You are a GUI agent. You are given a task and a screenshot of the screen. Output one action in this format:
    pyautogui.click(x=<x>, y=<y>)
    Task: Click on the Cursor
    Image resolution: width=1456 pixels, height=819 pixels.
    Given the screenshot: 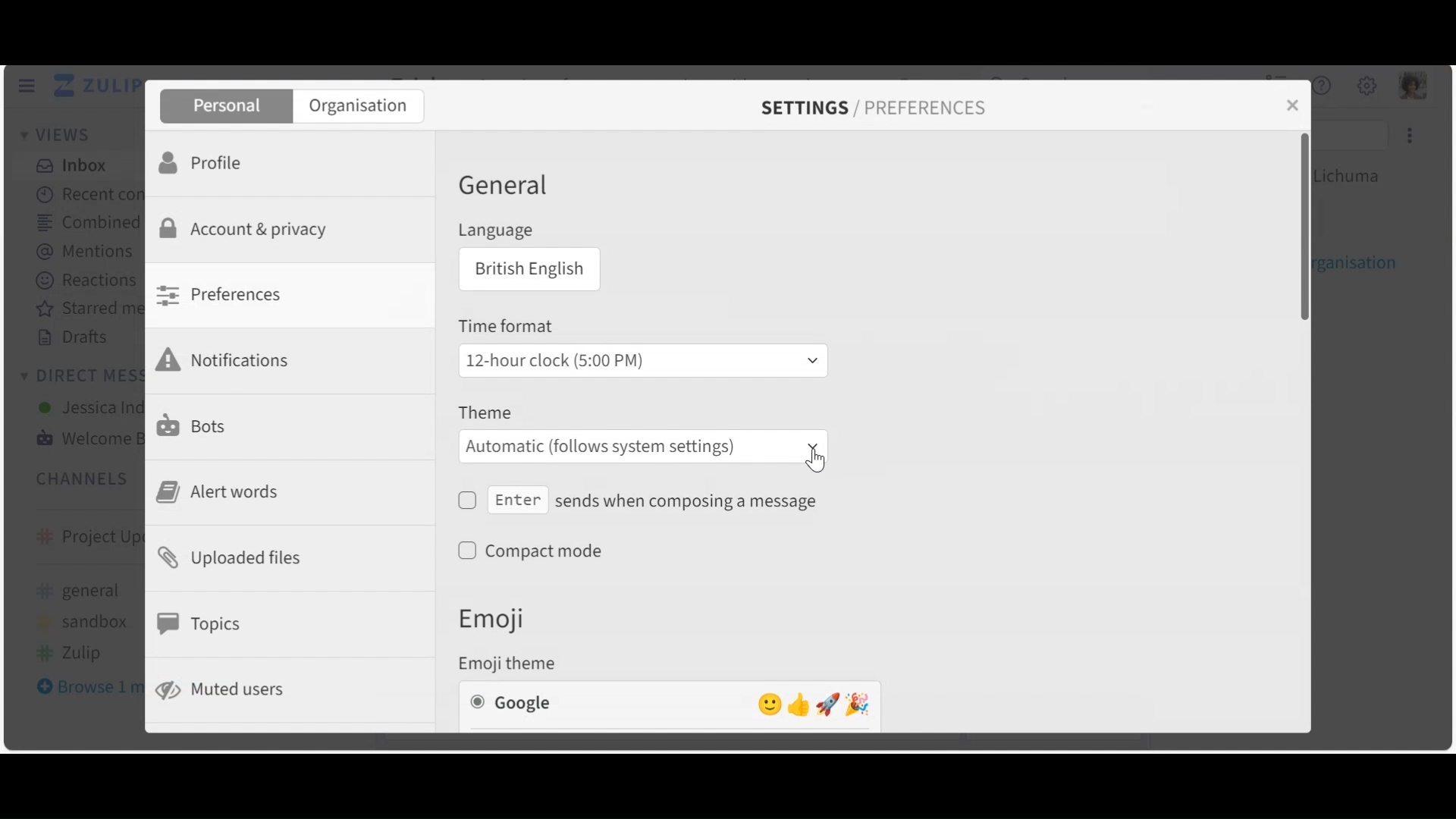 What is the action you would take?
    pyautogui.click(x=811, y=462)
    